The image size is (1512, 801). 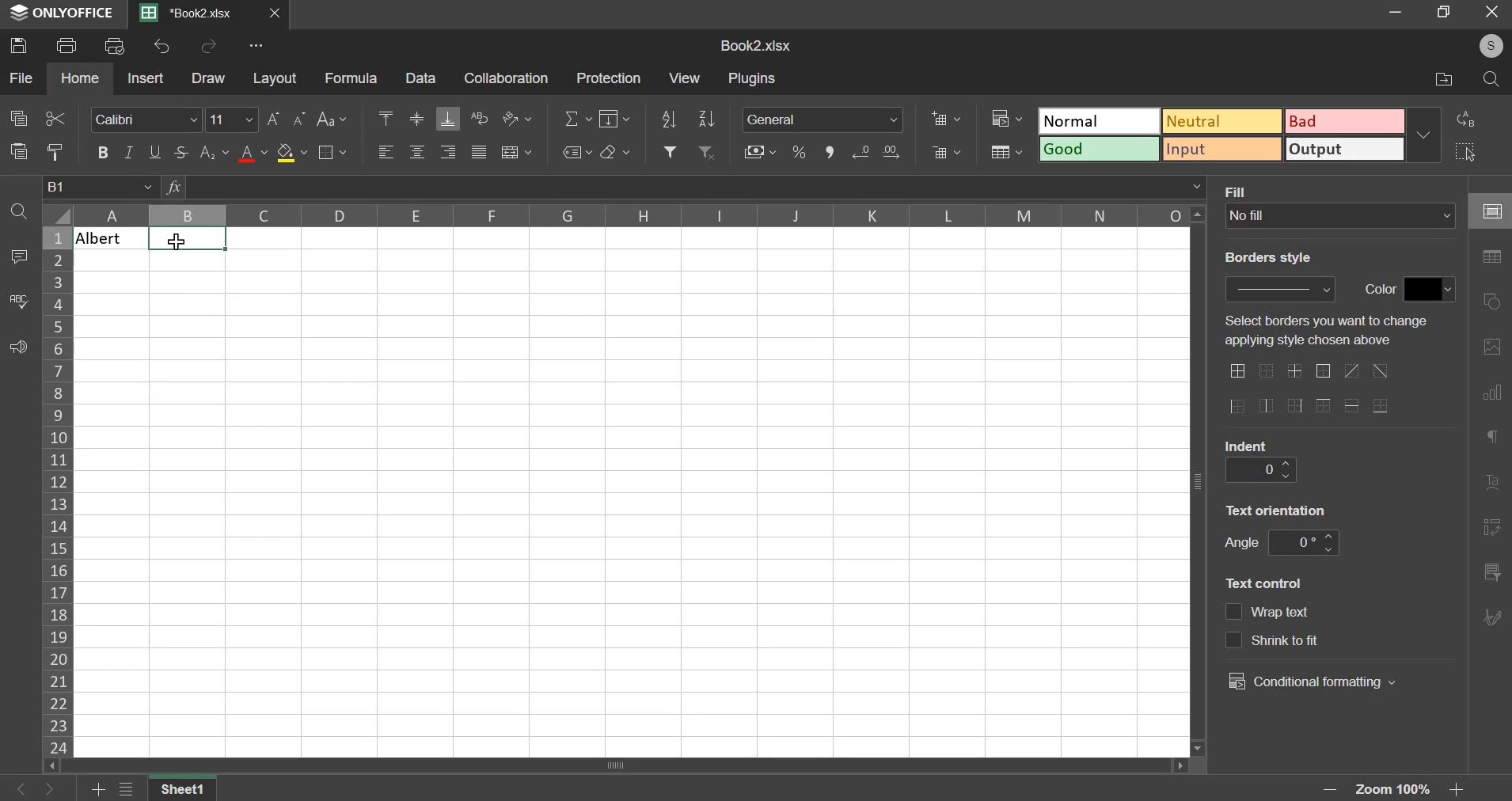 What do you see at coordinates (1471, 120) in the screenshot?
I see `replace` at bounding box center [1471, 120].